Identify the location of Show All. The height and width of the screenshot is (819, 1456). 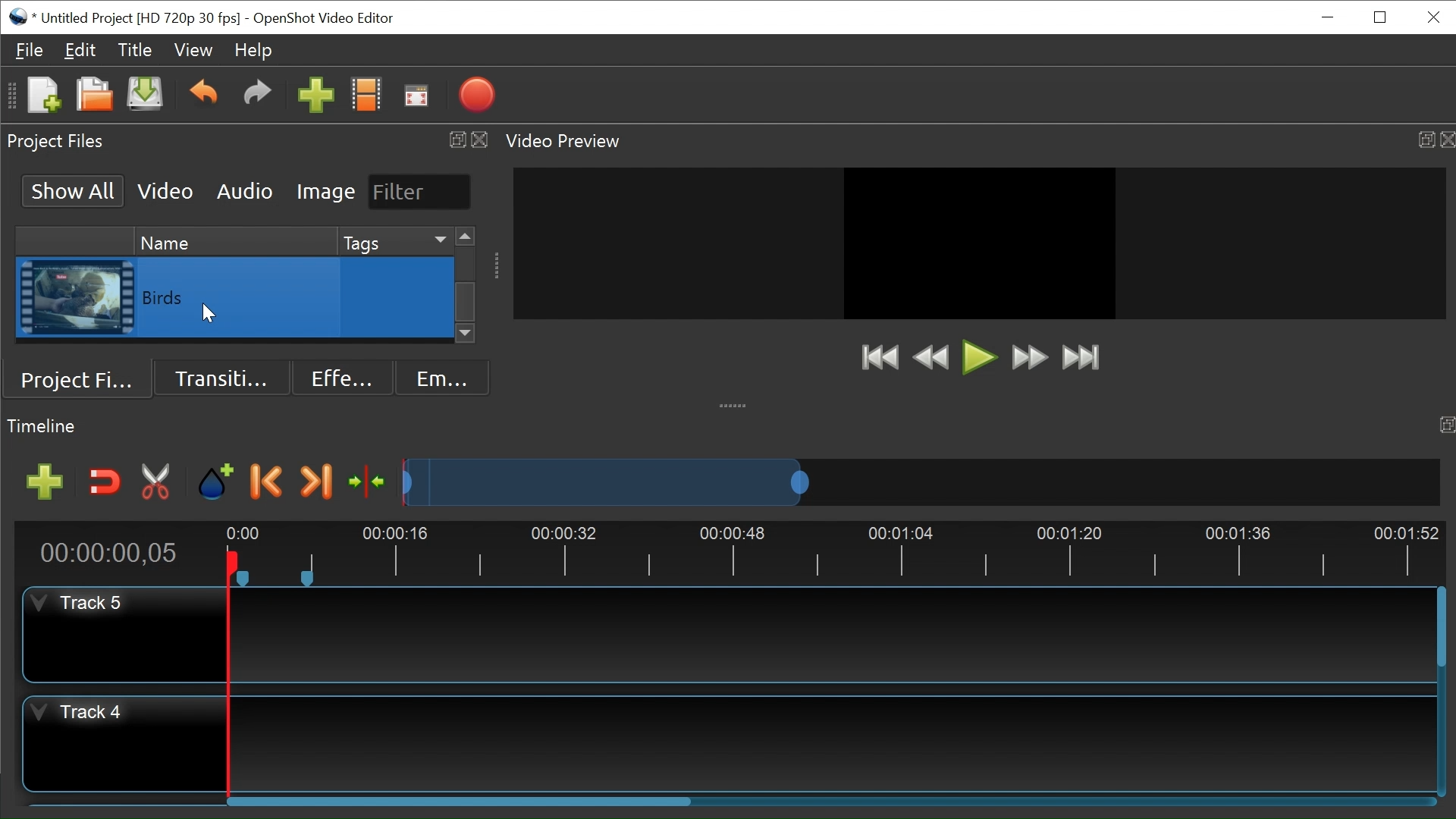
(70, 190).